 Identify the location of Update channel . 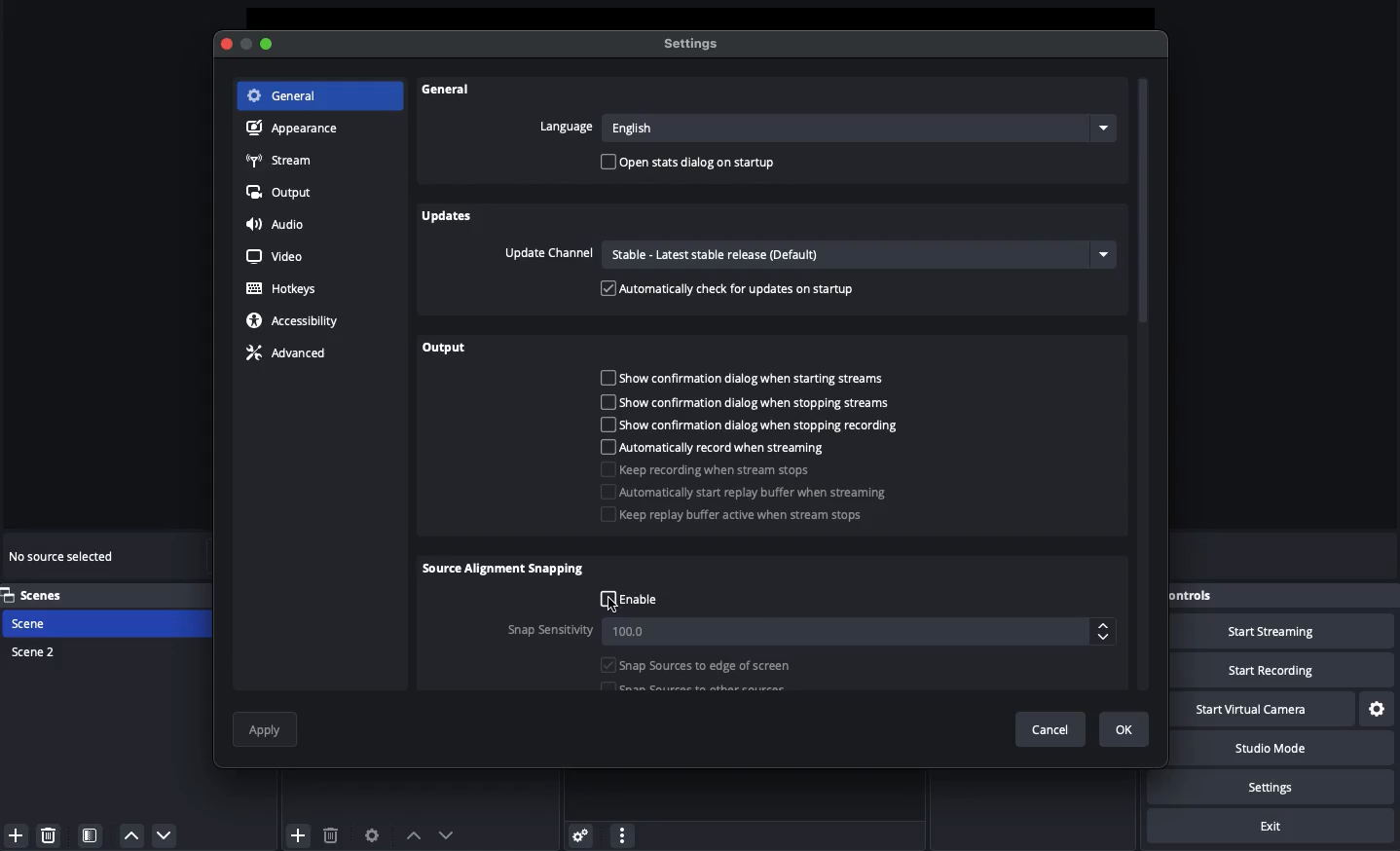
(806, 254).